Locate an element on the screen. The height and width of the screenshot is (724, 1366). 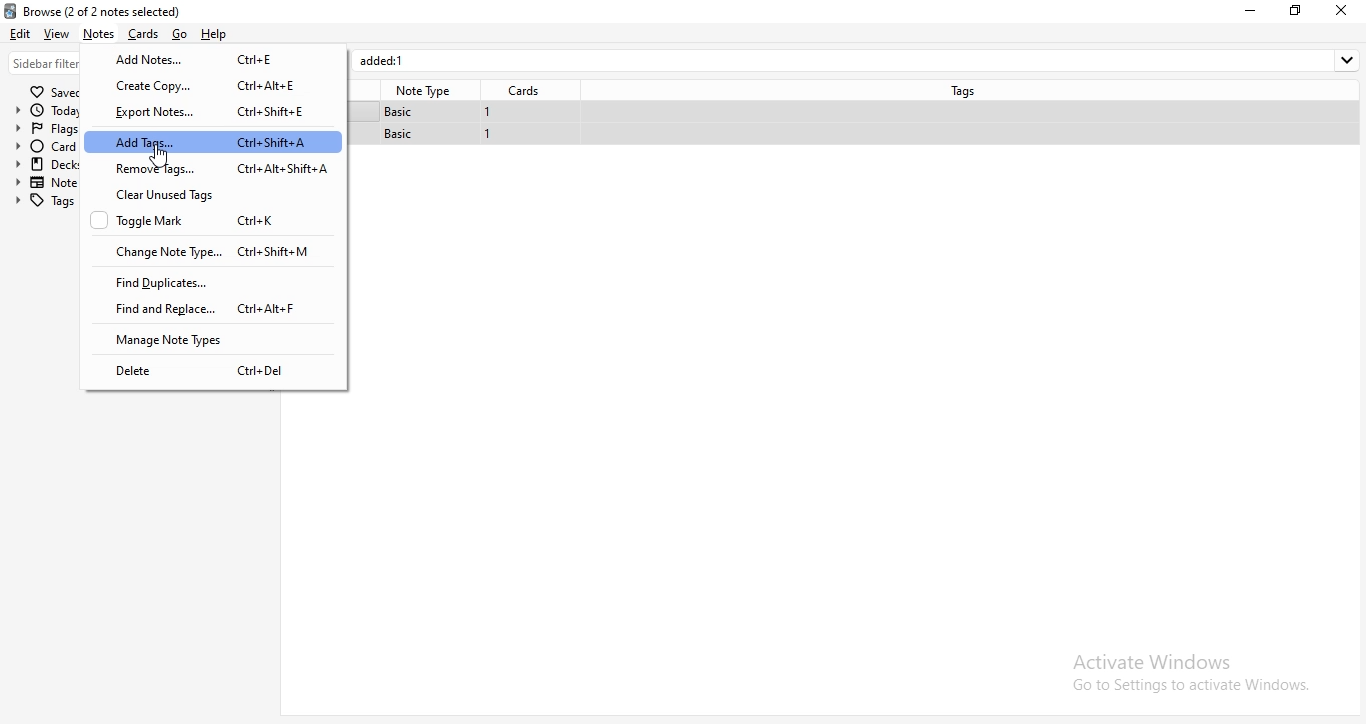
sidebar filter is located at coordinates (49, 62).